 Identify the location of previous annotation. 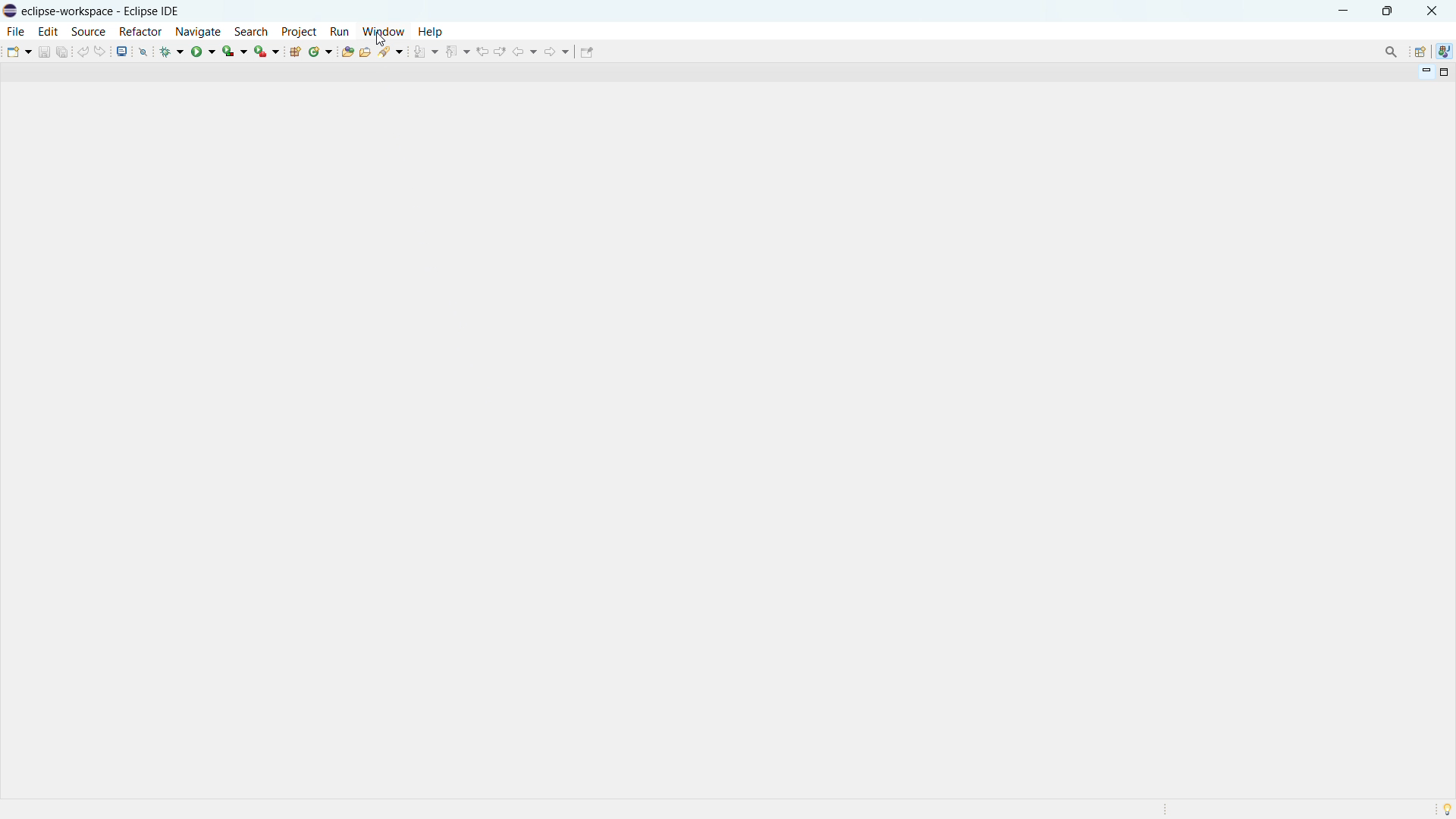
(457, 52).